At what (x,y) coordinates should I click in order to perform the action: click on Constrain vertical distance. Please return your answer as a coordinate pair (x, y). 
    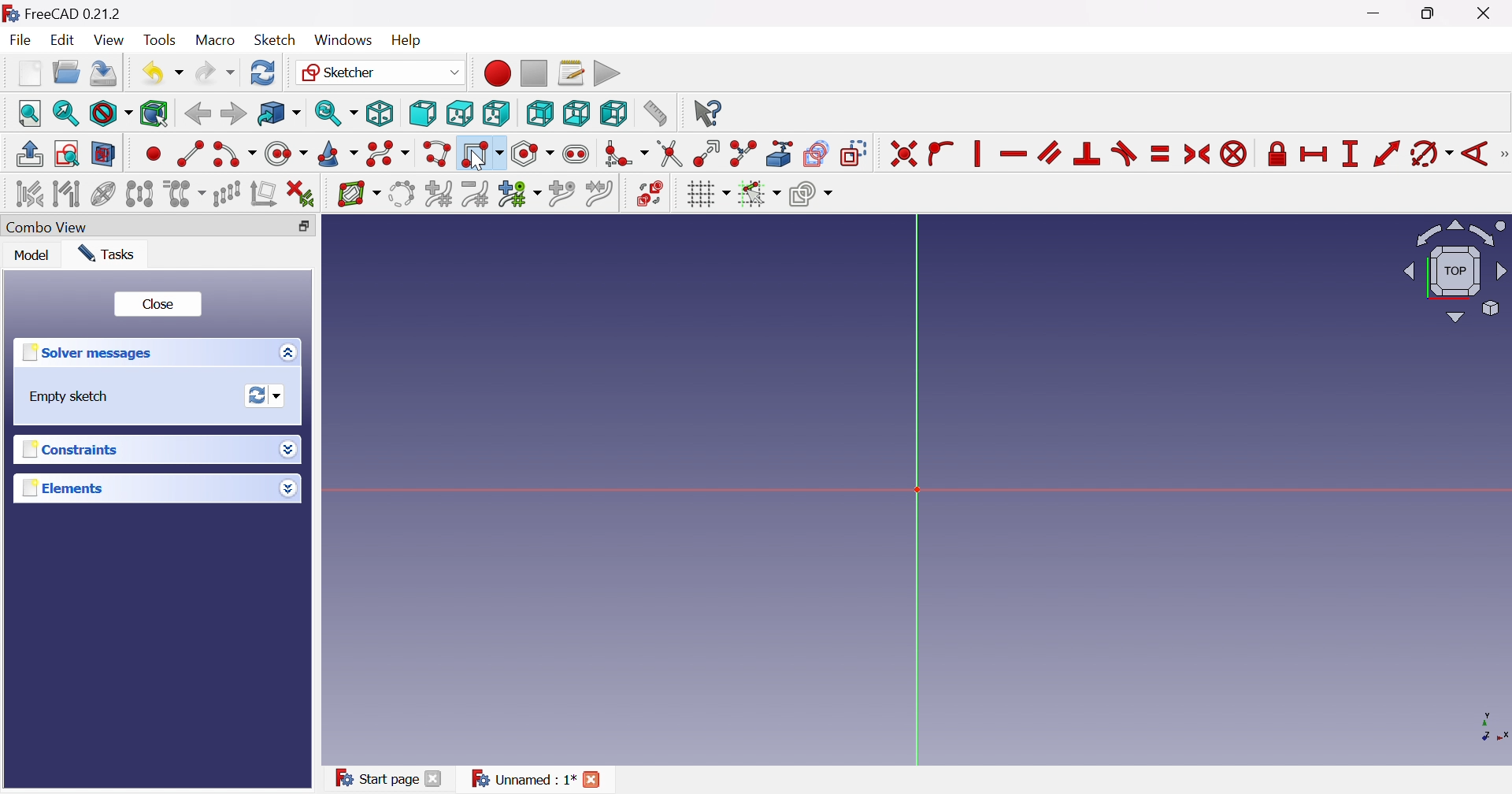
    Looking at the image, I should click on (1350, 154).